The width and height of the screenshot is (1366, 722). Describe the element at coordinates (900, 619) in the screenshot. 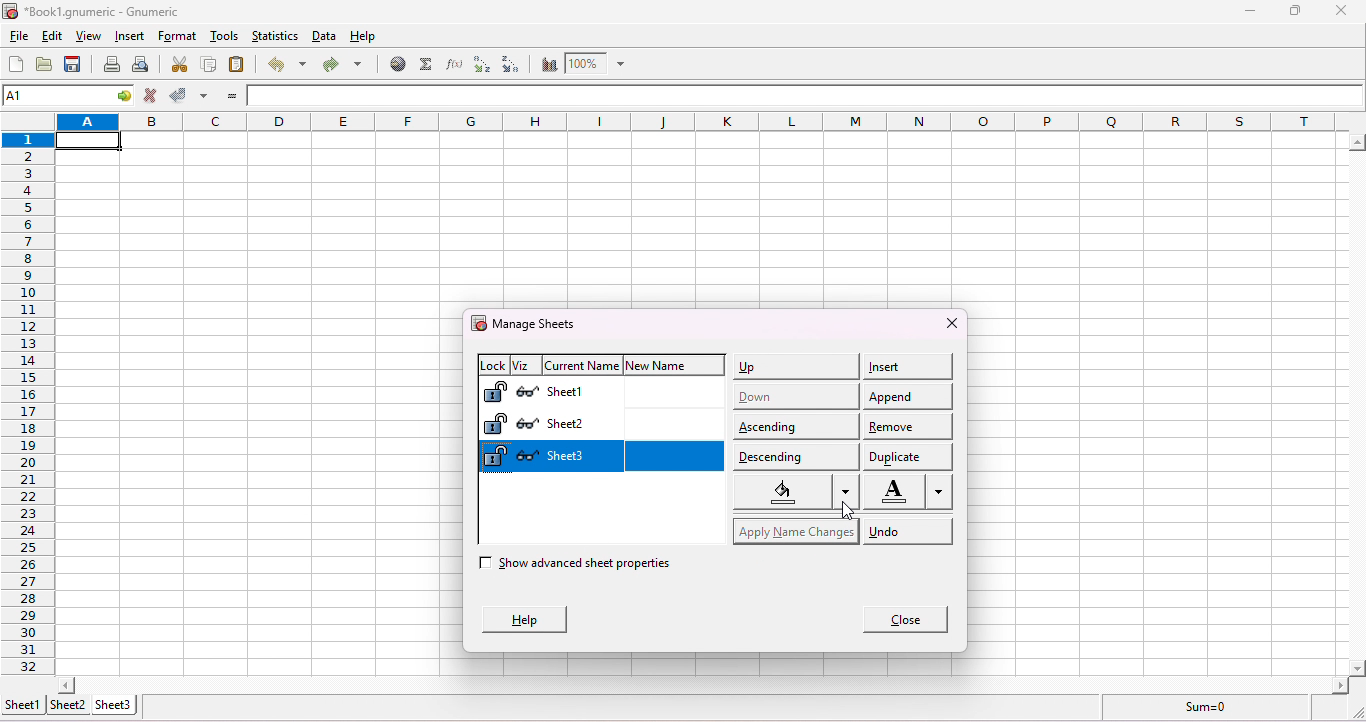

I see `close` at that location.